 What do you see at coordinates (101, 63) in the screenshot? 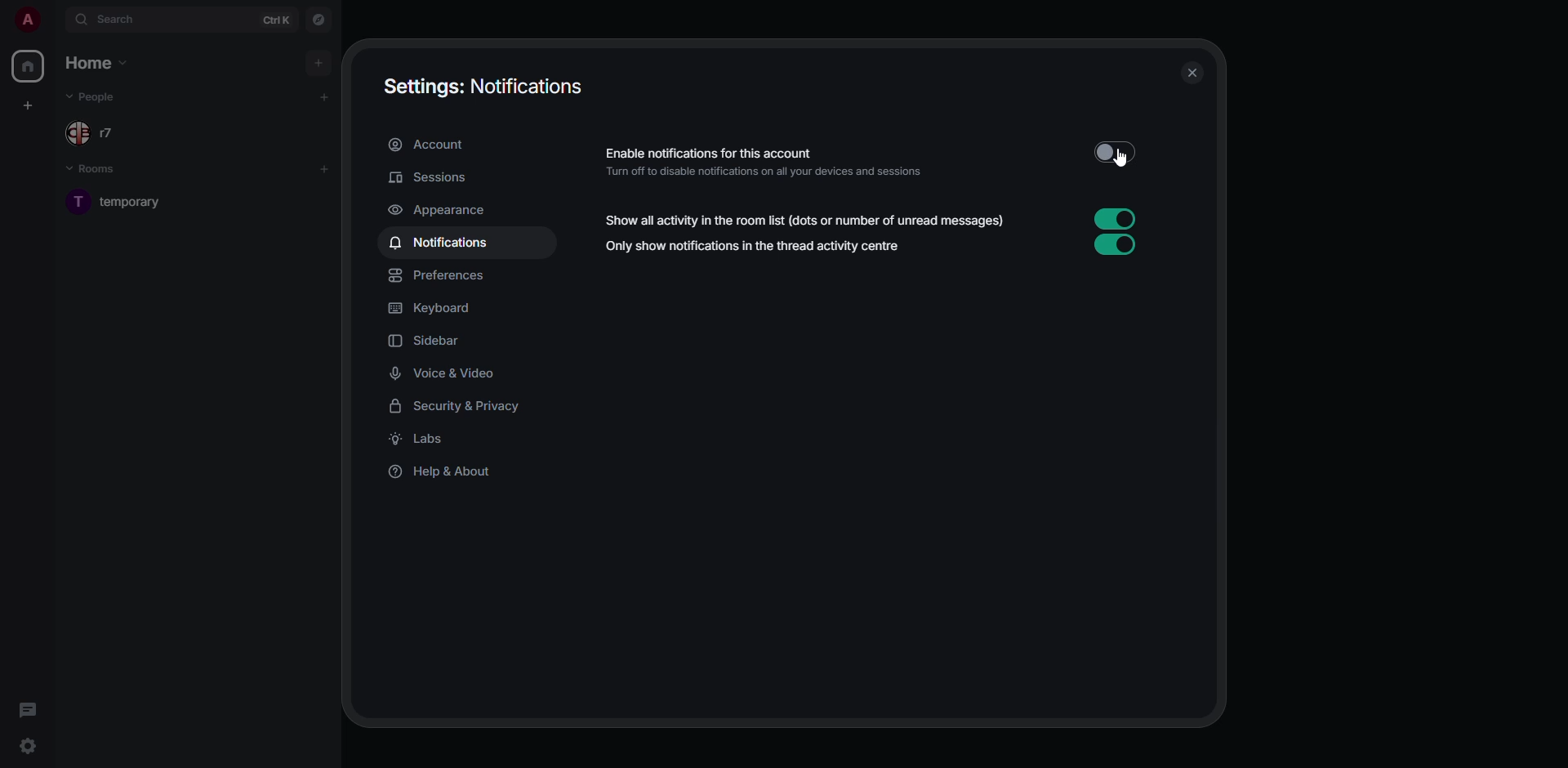
I see `home` at bounding box center [101, 63].